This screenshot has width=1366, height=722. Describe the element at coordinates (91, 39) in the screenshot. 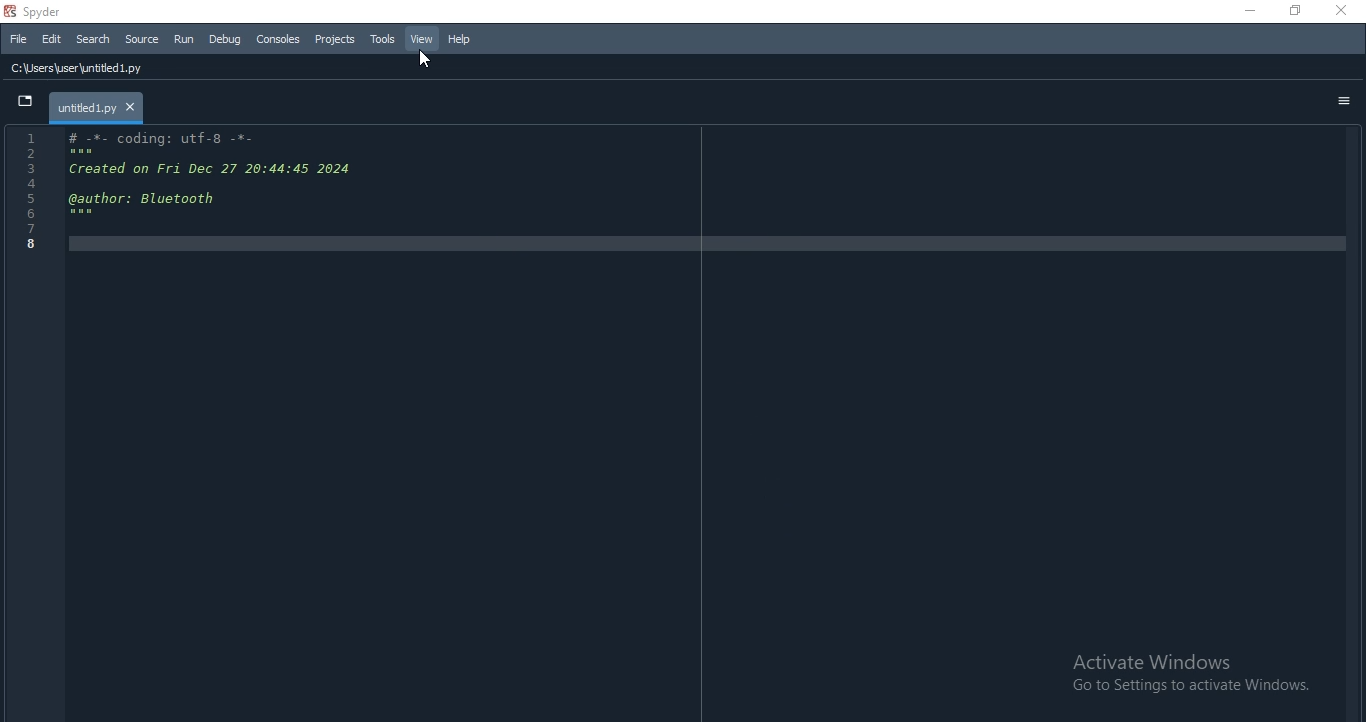

I see `Search` at that location.